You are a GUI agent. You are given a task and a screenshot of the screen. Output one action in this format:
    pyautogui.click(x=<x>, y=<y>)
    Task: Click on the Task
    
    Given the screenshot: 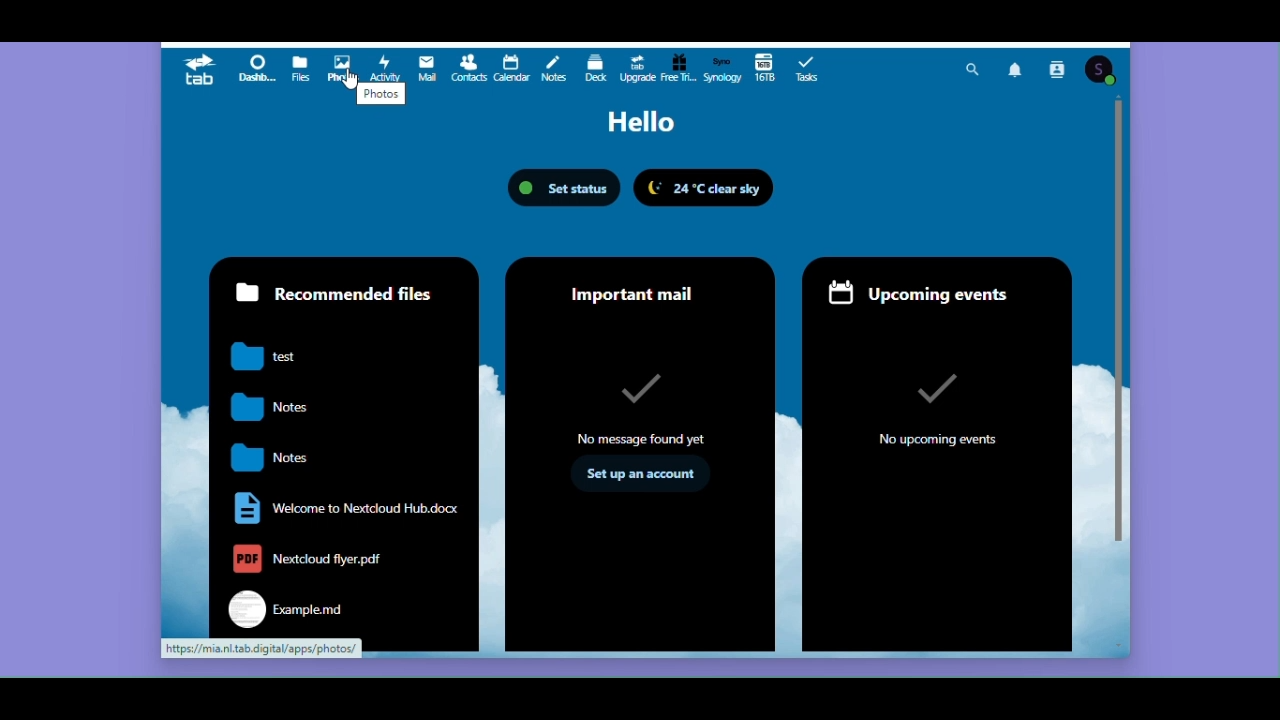 What is the action you would take?
    pyautogui.click(x=808, y=66)
    